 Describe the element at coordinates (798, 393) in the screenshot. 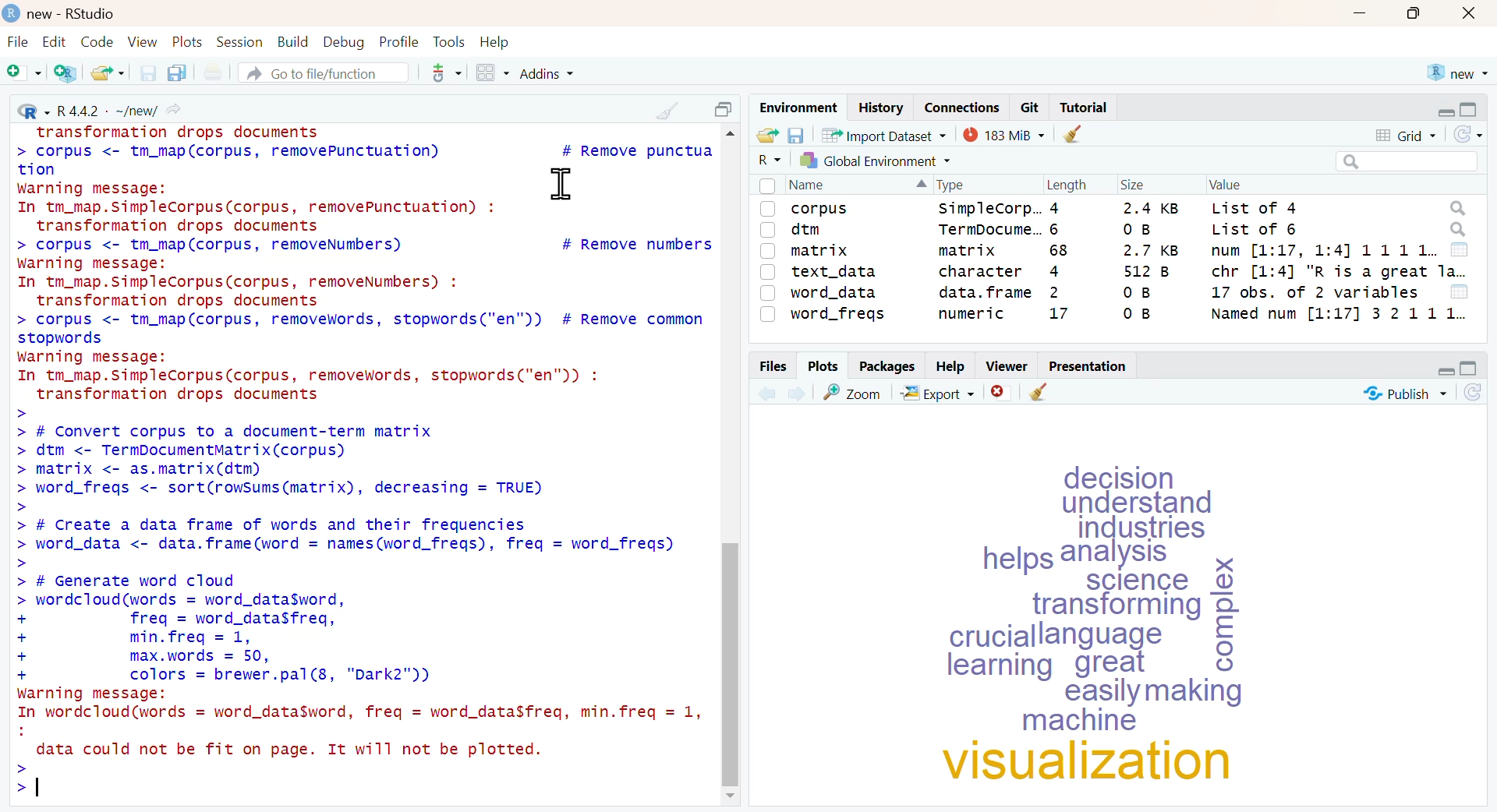

I see `Forward` at that location.